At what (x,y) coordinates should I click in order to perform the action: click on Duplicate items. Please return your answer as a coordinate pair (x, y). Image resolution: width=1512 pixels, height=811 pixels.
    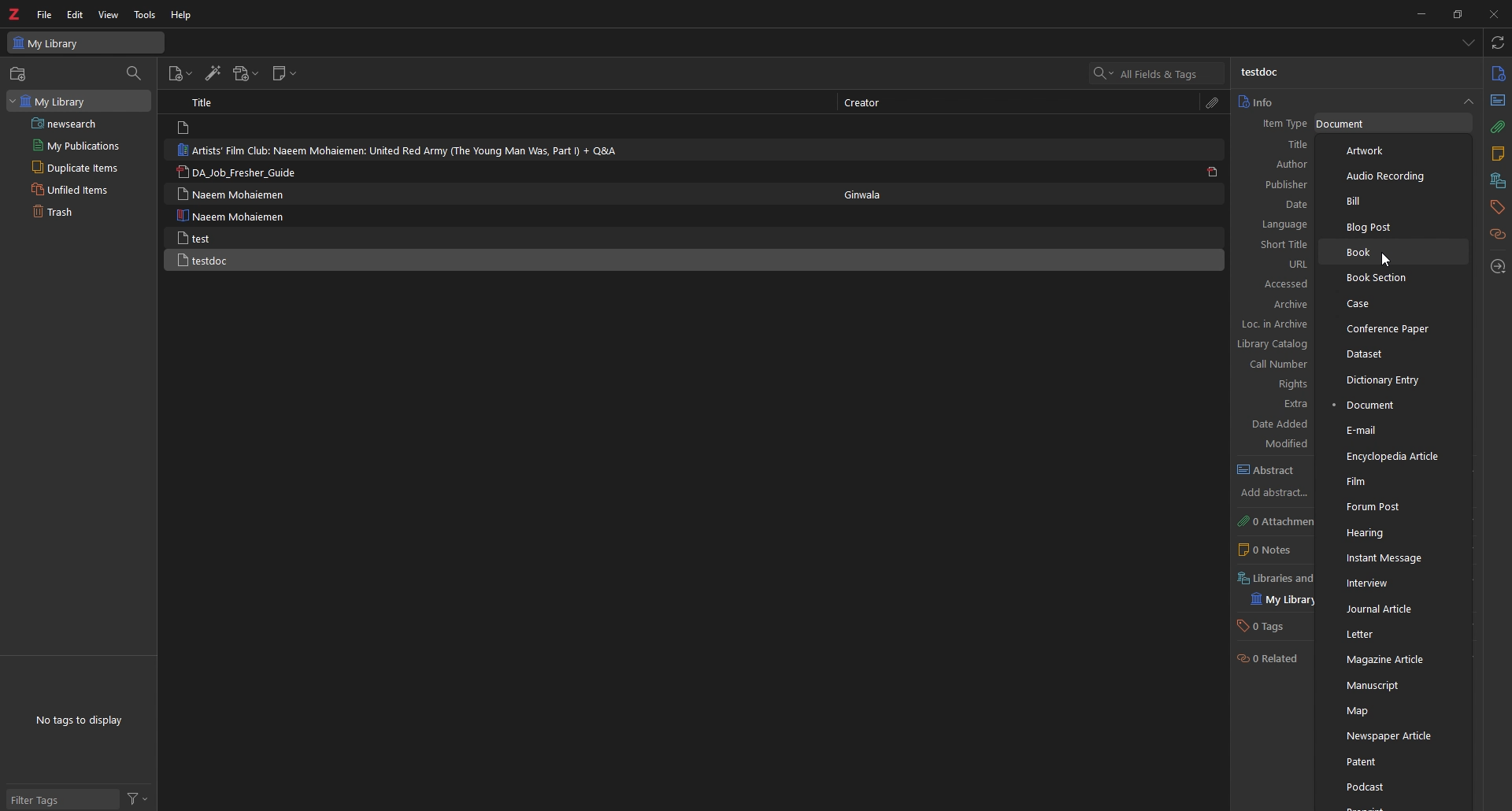
    Looking at the image, I should click on (80, 167).